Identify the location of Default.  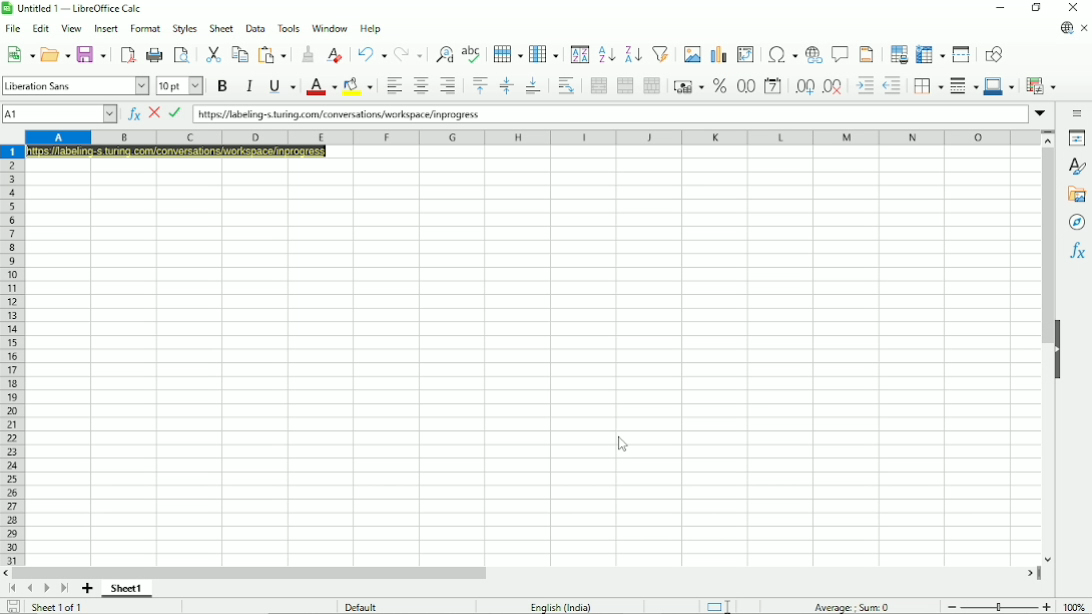
(361, 606).